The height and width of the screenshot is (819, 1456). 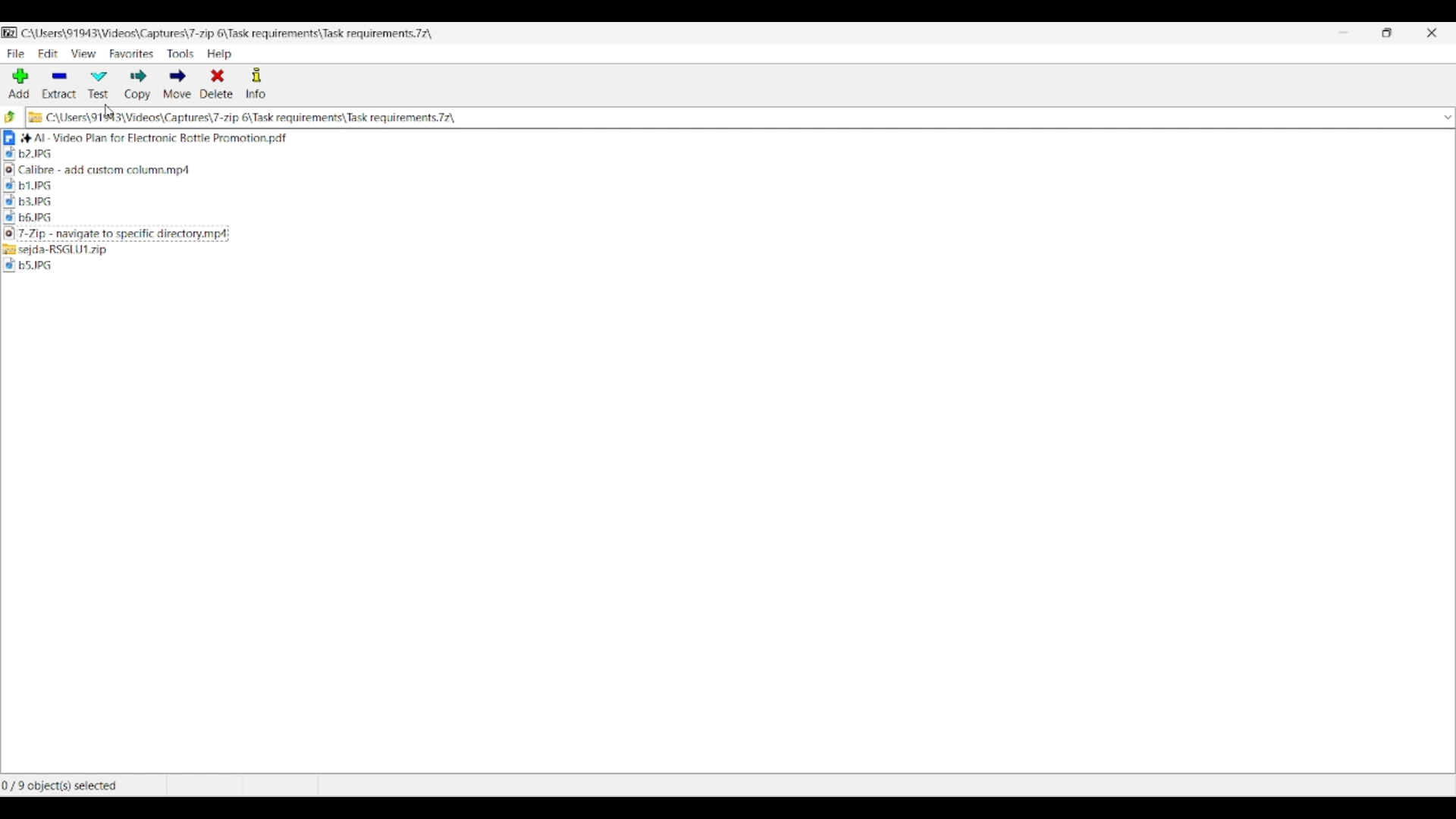 I want to click on Edit menu, so click(x=49, y=54).